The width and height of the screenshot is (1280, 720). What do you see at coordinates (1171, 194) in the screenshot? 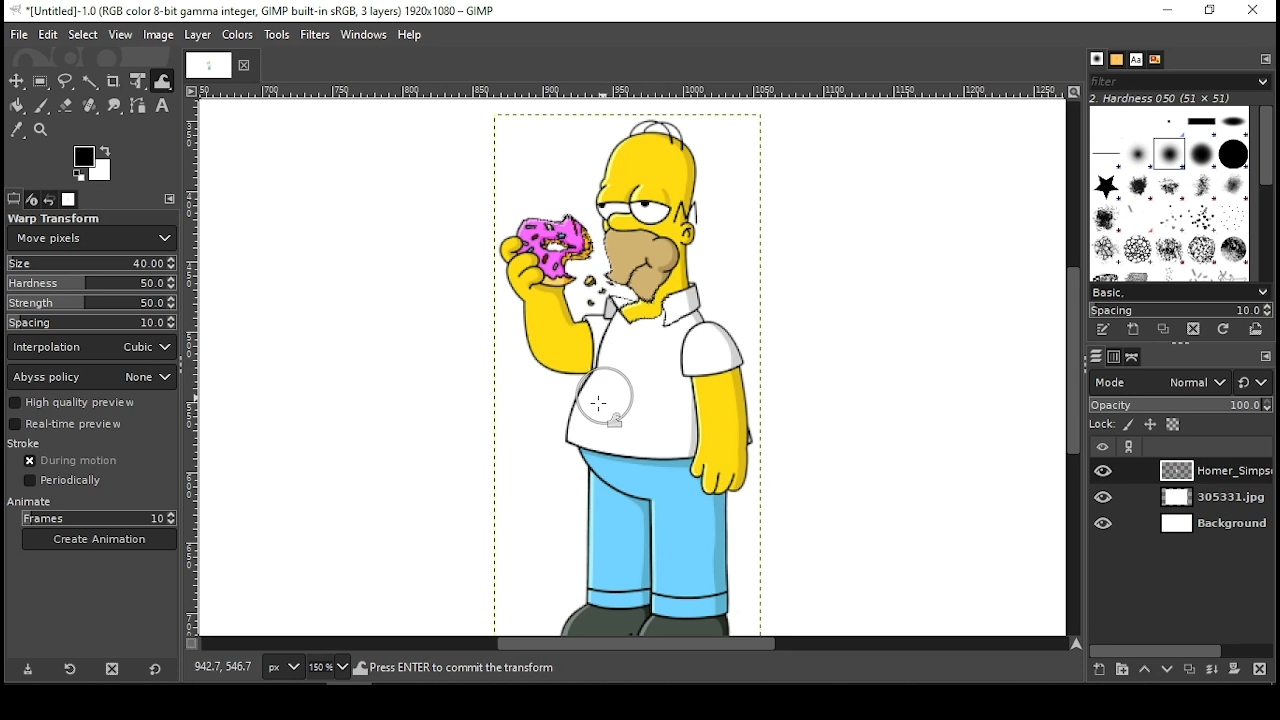
I see `brushes` at bounding box center [1171, 194].